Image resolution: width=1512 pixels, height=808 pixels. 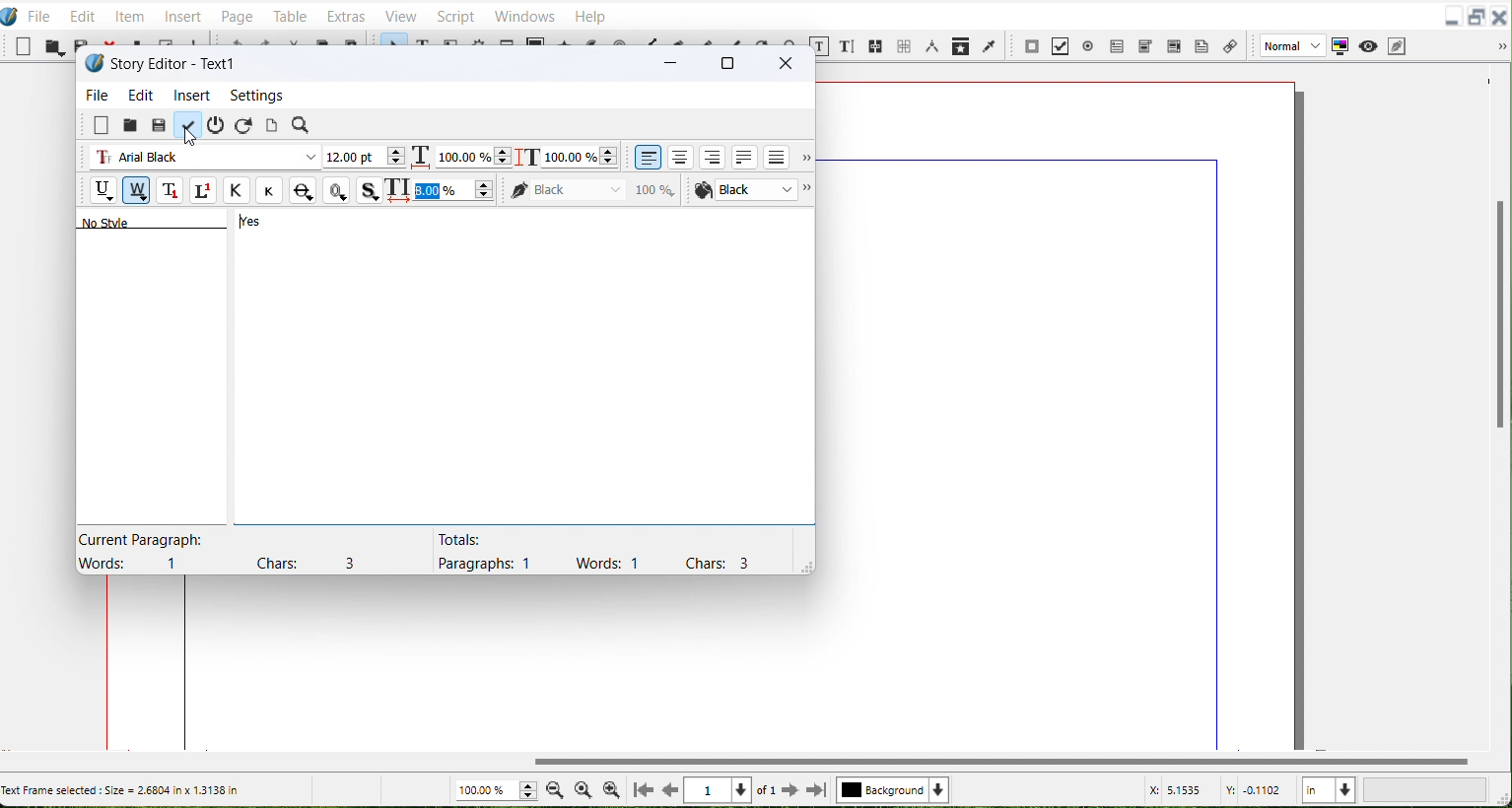 What do you see at coordinates (256, 97) in the screenshot?
I see `Settings` at bounding box center [256, 97].